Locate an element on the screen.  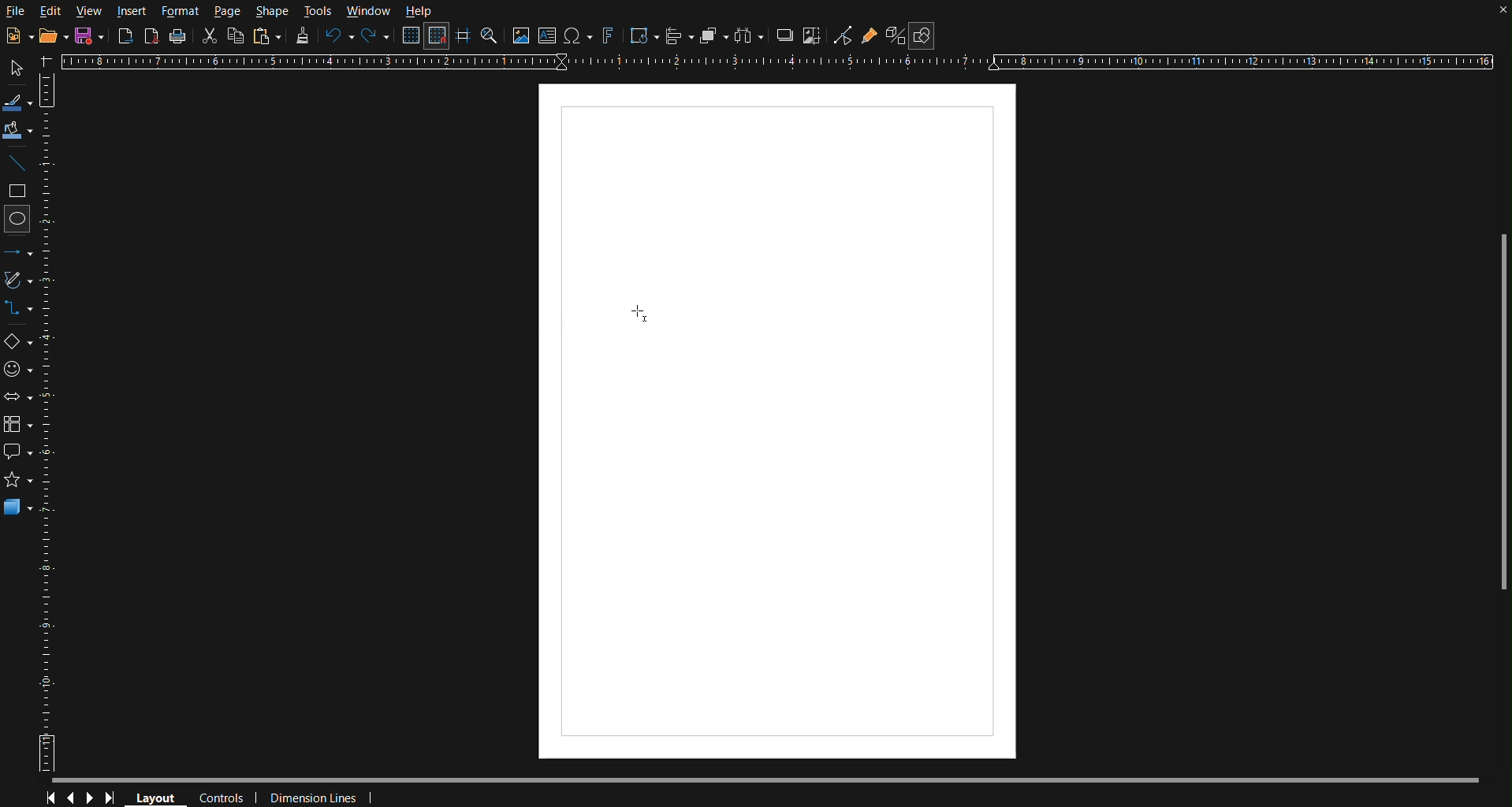
Distribute objects is located at coordinates (754, 37).